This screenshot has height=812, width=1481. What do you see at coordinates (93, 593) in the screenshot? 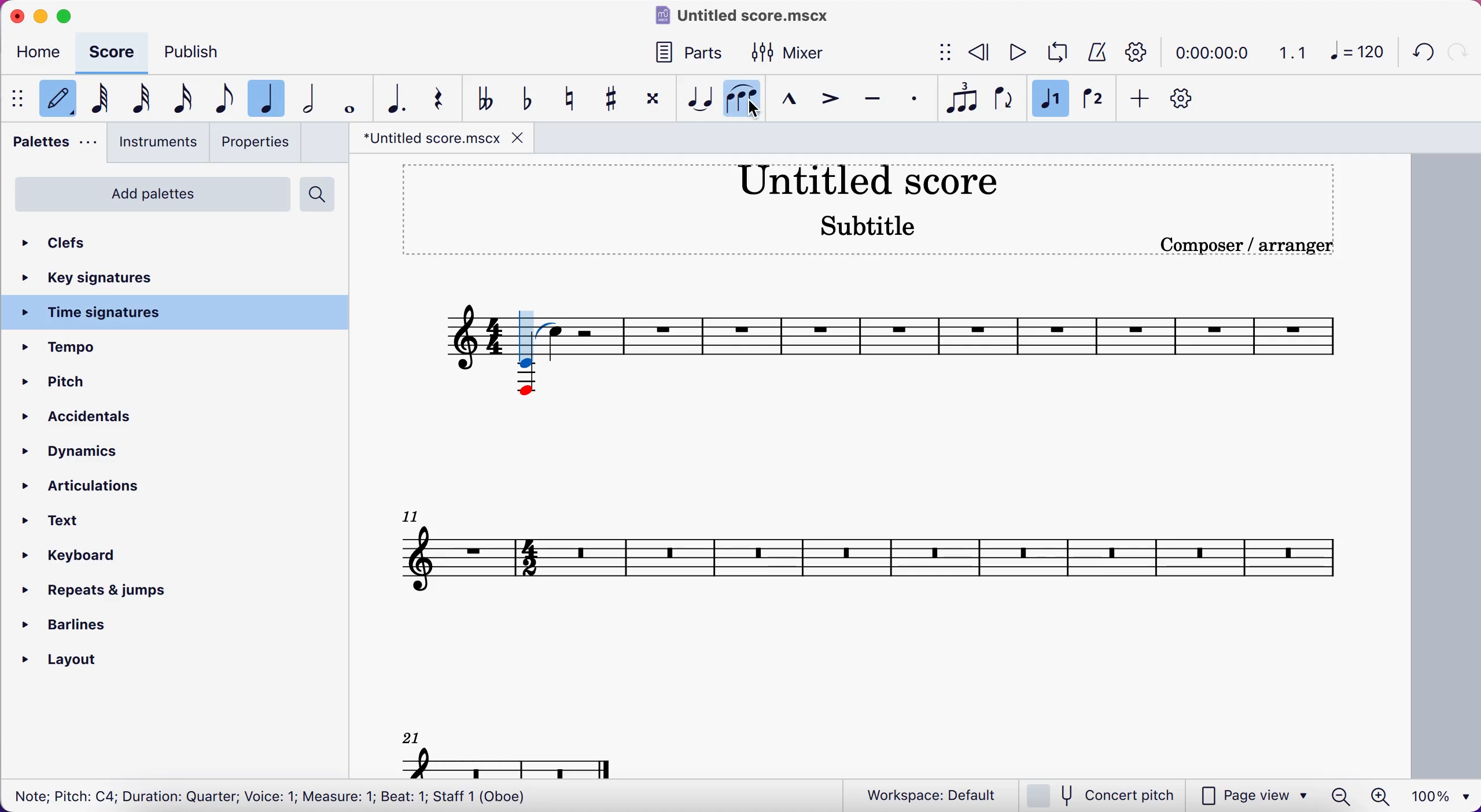
I see `repeats and jumps` at bounding box center [93, 593].